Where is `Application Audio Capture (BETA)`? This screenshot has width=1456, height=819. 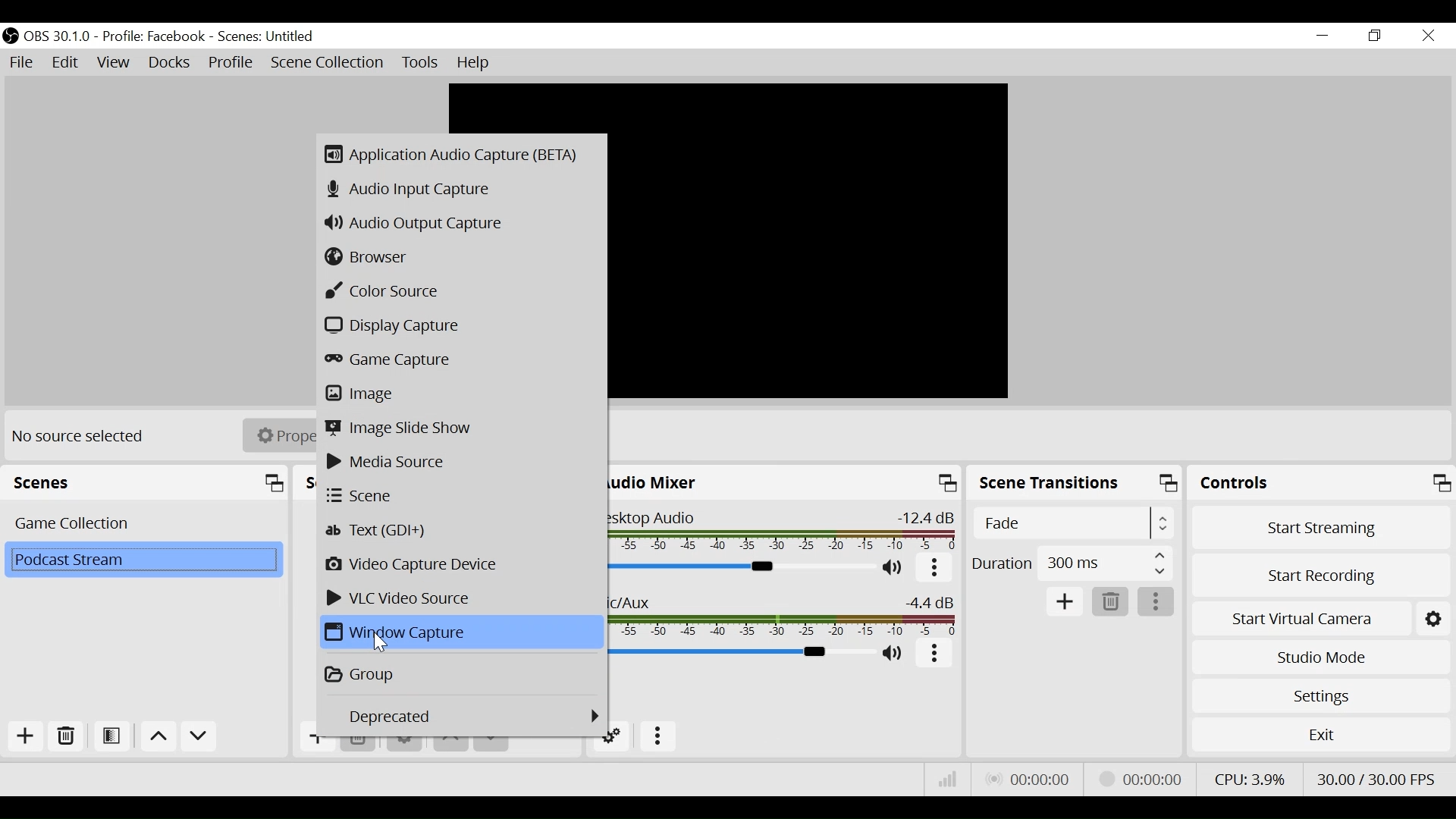 Application Audio Capture (BETA) is located at coordinates (459, 155).